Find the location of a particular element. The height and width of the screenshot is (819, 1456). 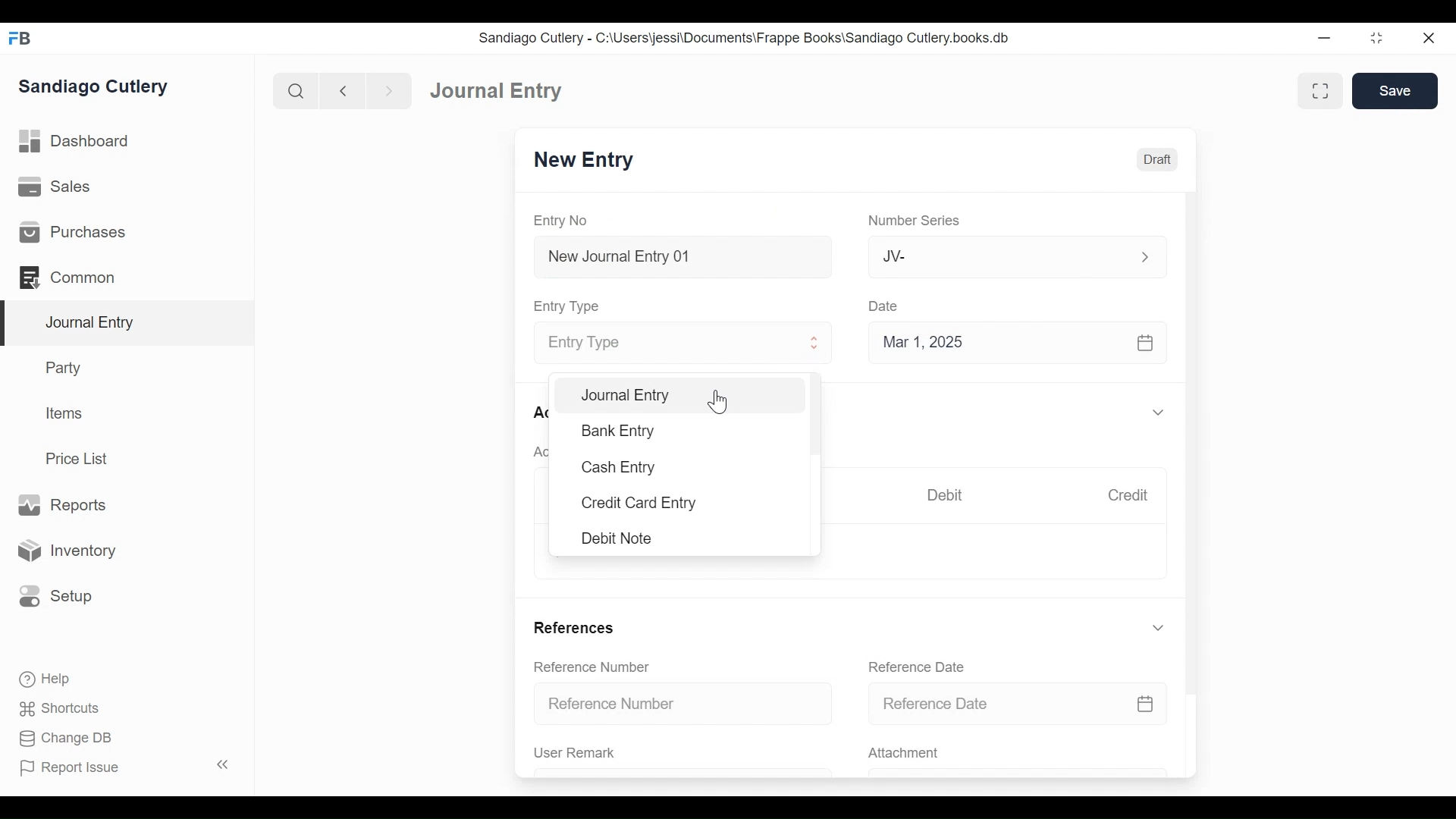

Help is located at coordinates (38, 680).